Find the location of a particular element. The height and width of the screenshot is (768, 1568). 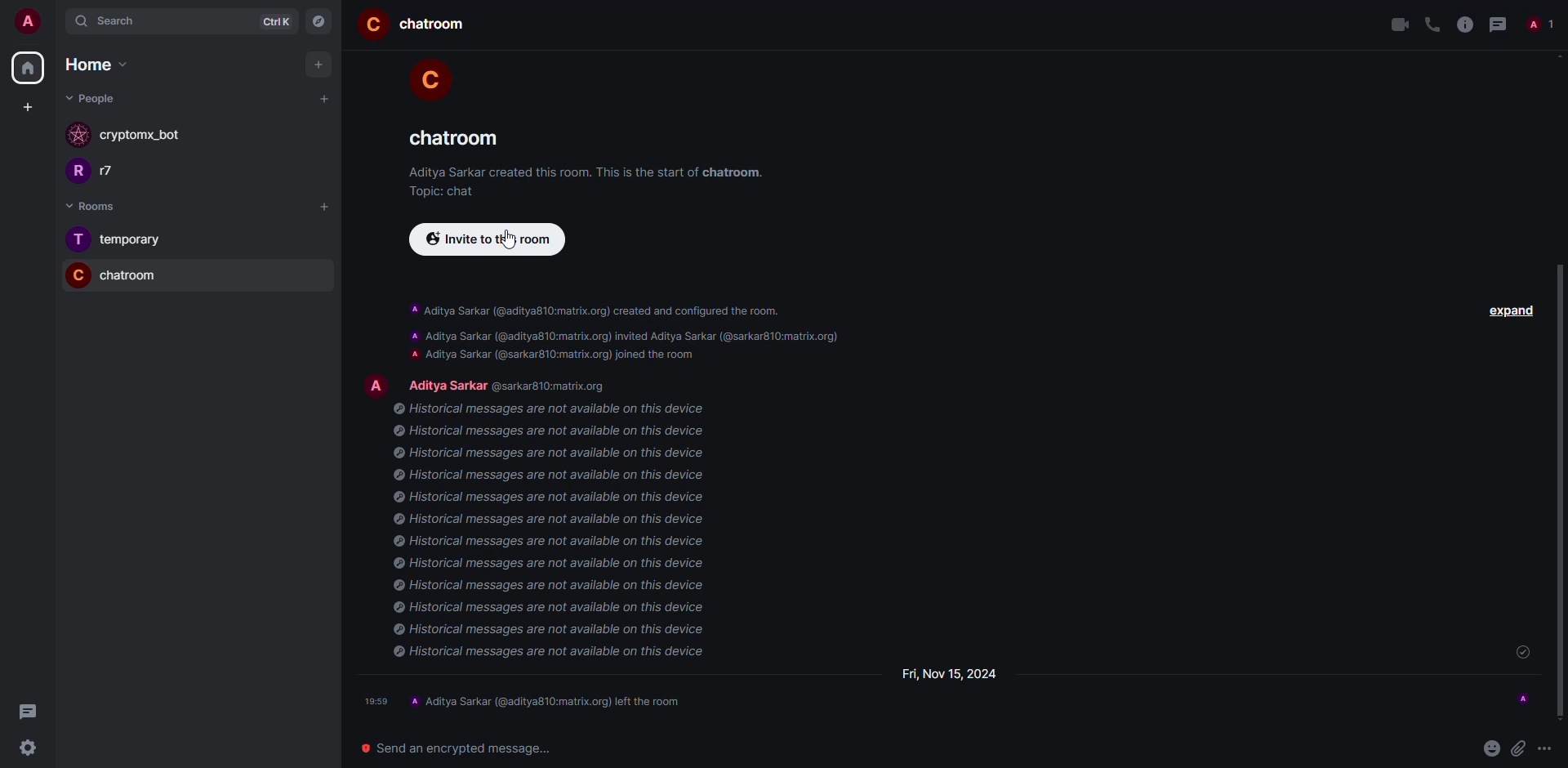

attach is located at coordinates (1518, 747).